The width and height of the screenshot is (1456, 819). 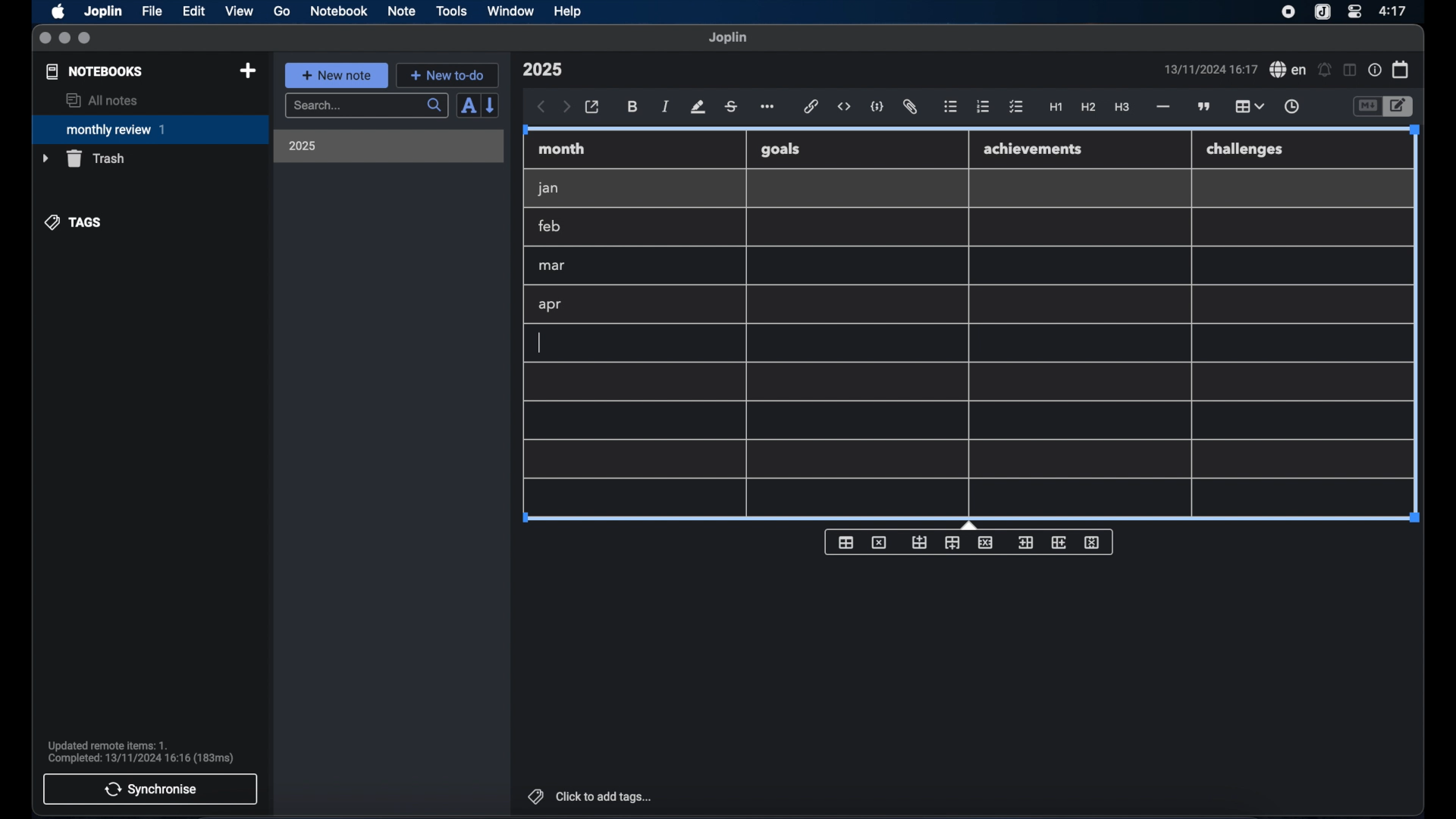 What do you see at coordinates (730, 107) in the screenshot?
I see `strikethrough` at bounding box center [730, 107].